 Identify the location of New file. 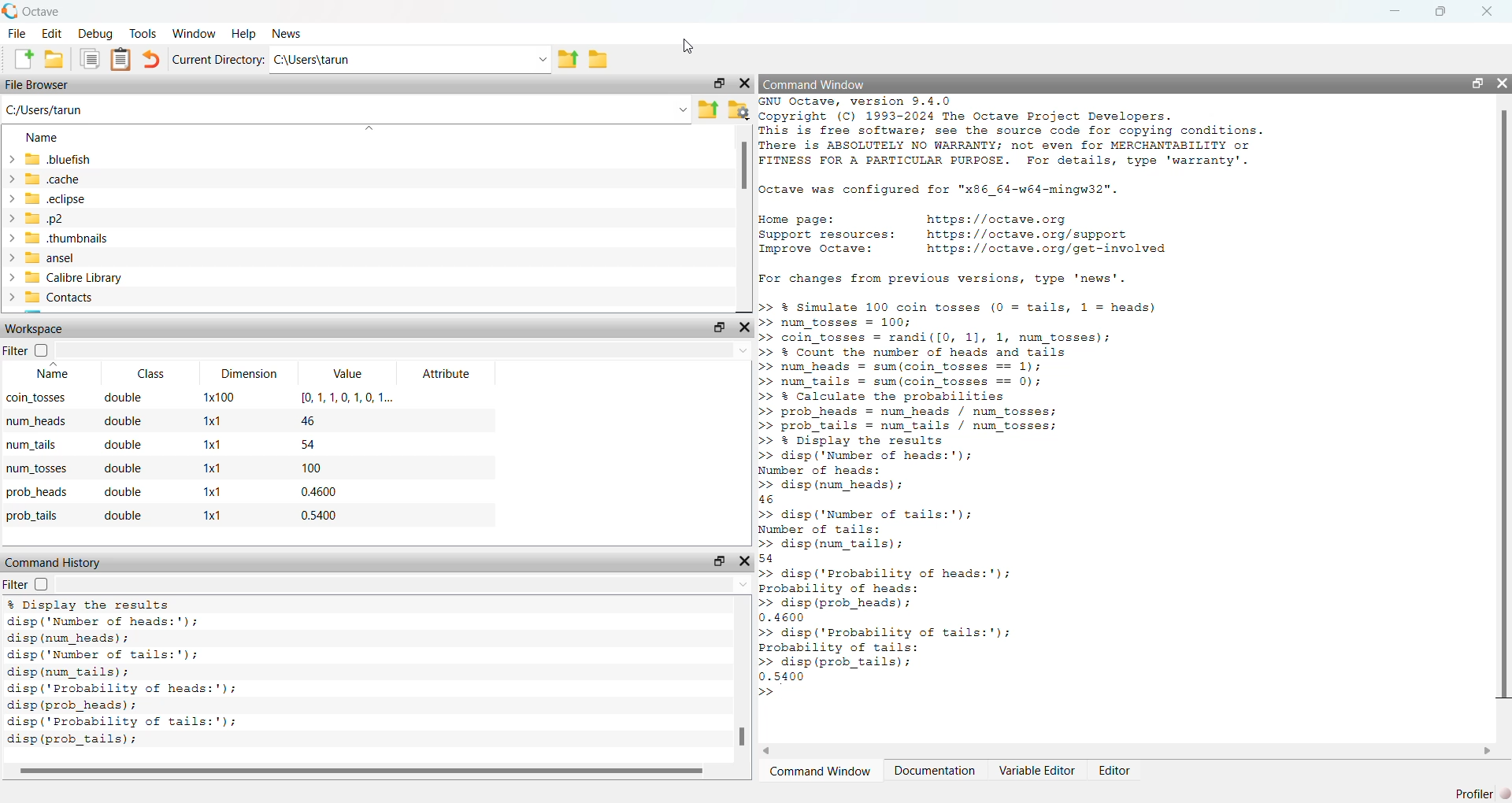
(23, 58).